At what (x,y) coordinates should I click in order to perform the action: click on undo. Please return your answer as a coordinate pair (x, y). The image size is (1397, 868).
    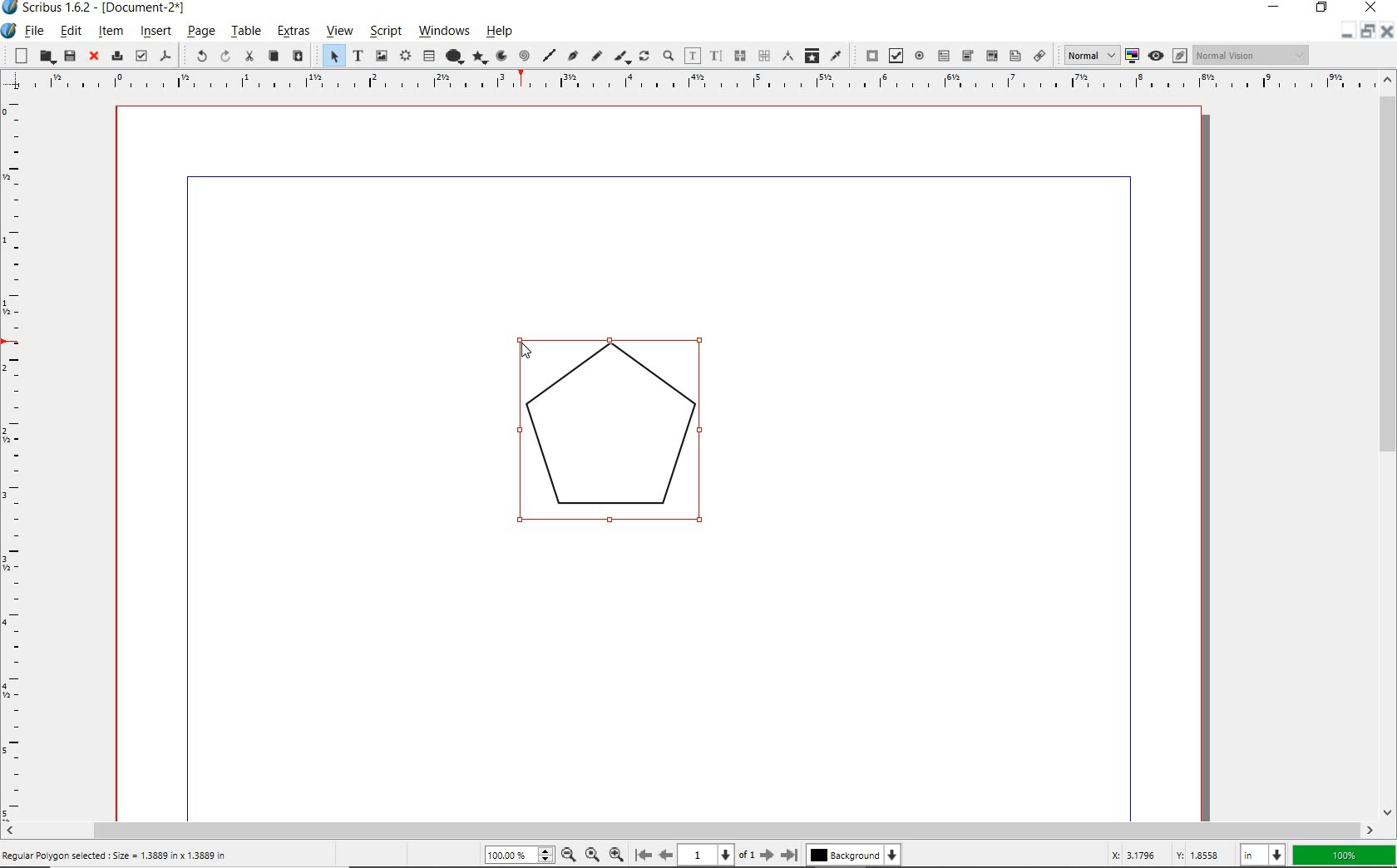
    Looking at the image, I should click on (195, 56).